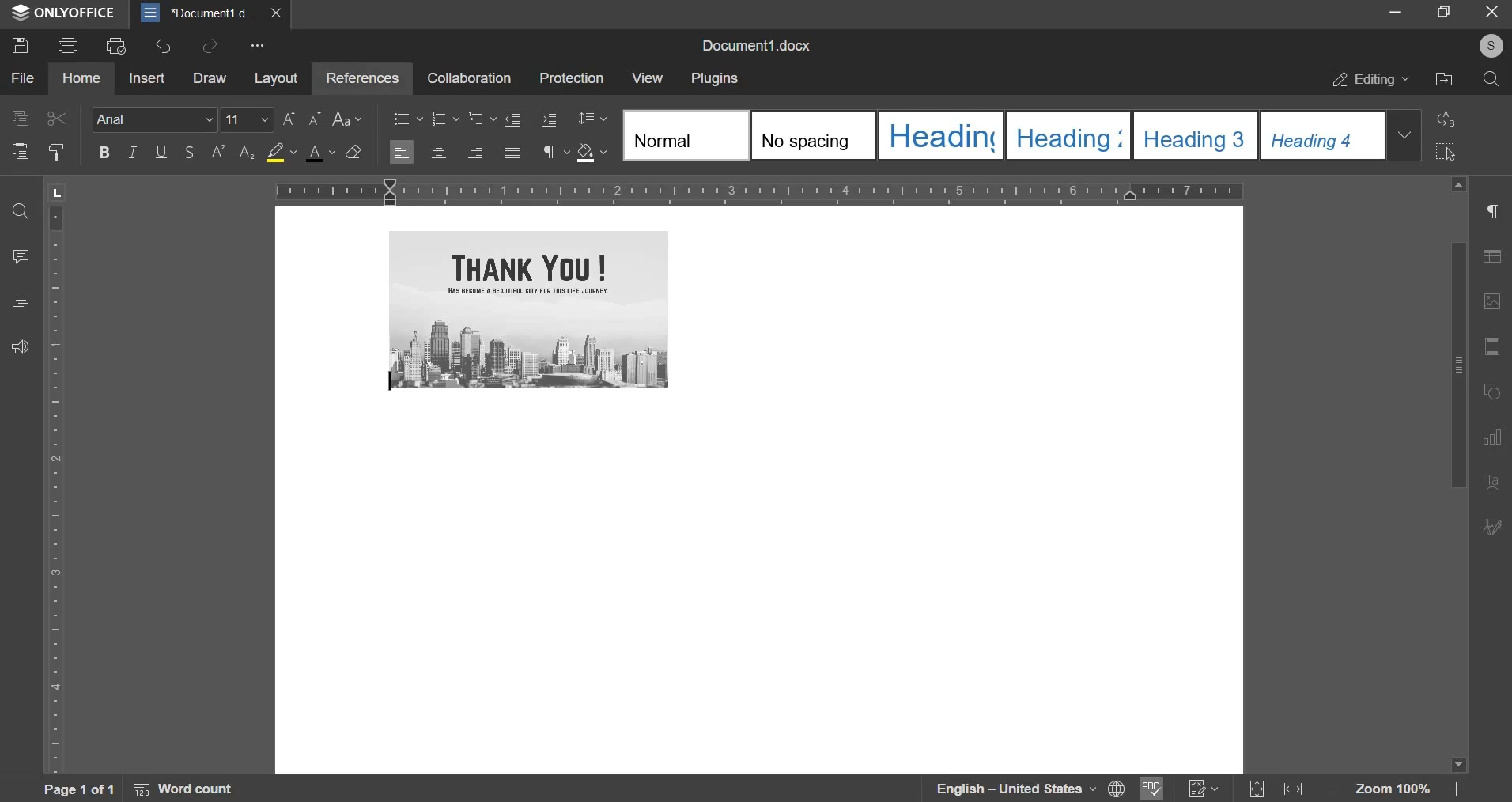  What do you see at coordinates (360, 77) in the screenshot?
I see `references` at bounding box center [360, 77].